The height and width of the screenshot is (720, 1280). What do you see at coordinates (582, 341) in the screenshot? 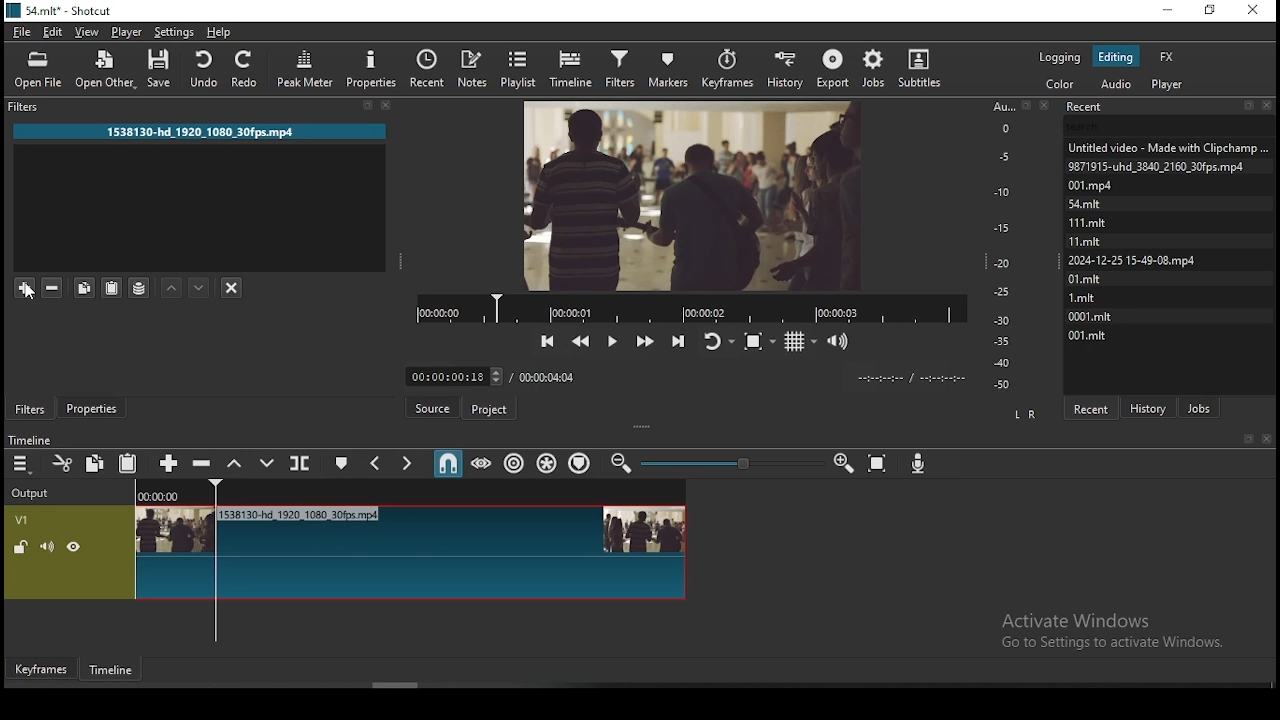
I see `play quickly backwards` at bounding box center [582, 341].